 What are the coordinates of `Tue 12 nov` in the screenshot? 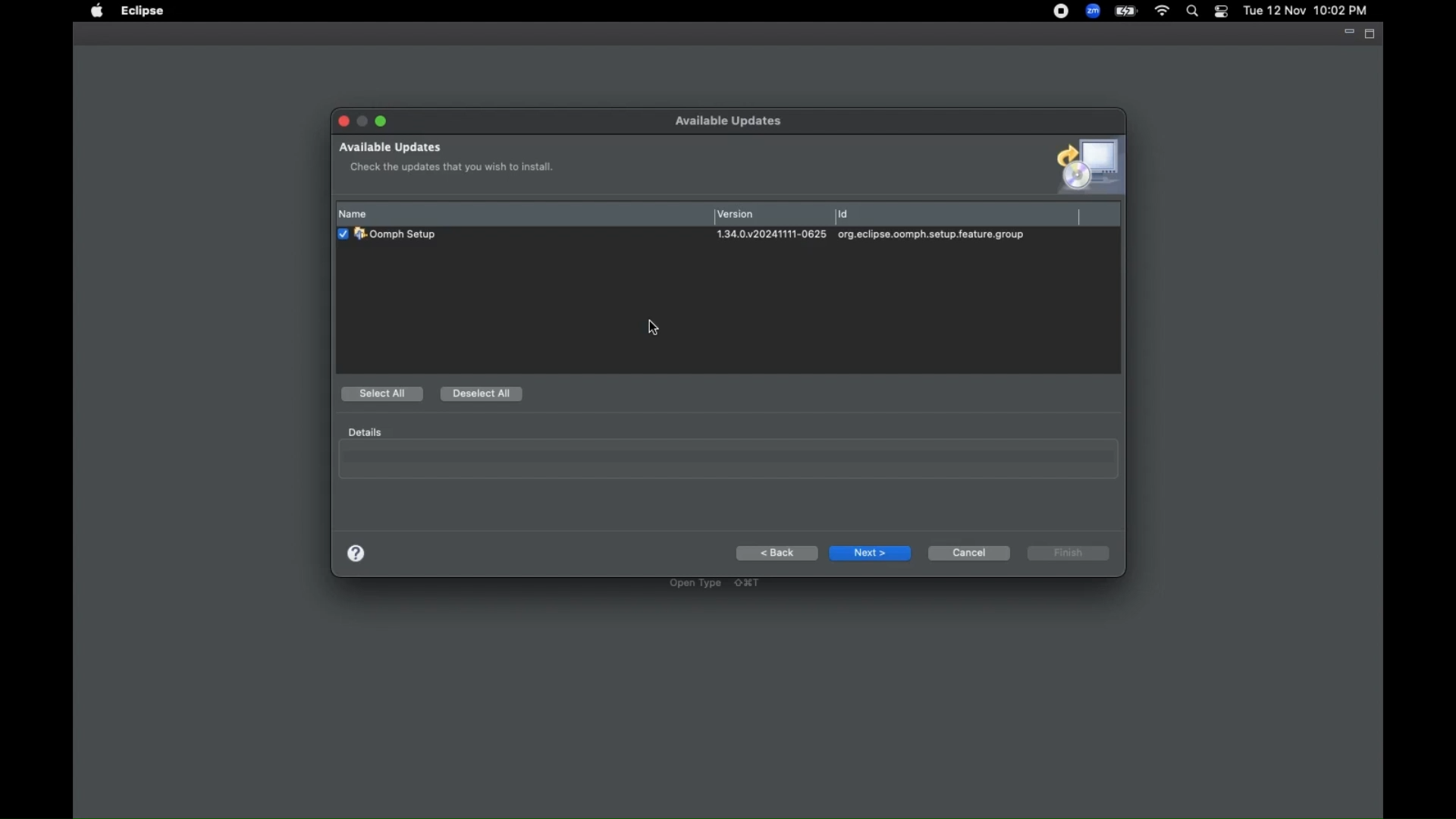 It's located at (1272, 12).